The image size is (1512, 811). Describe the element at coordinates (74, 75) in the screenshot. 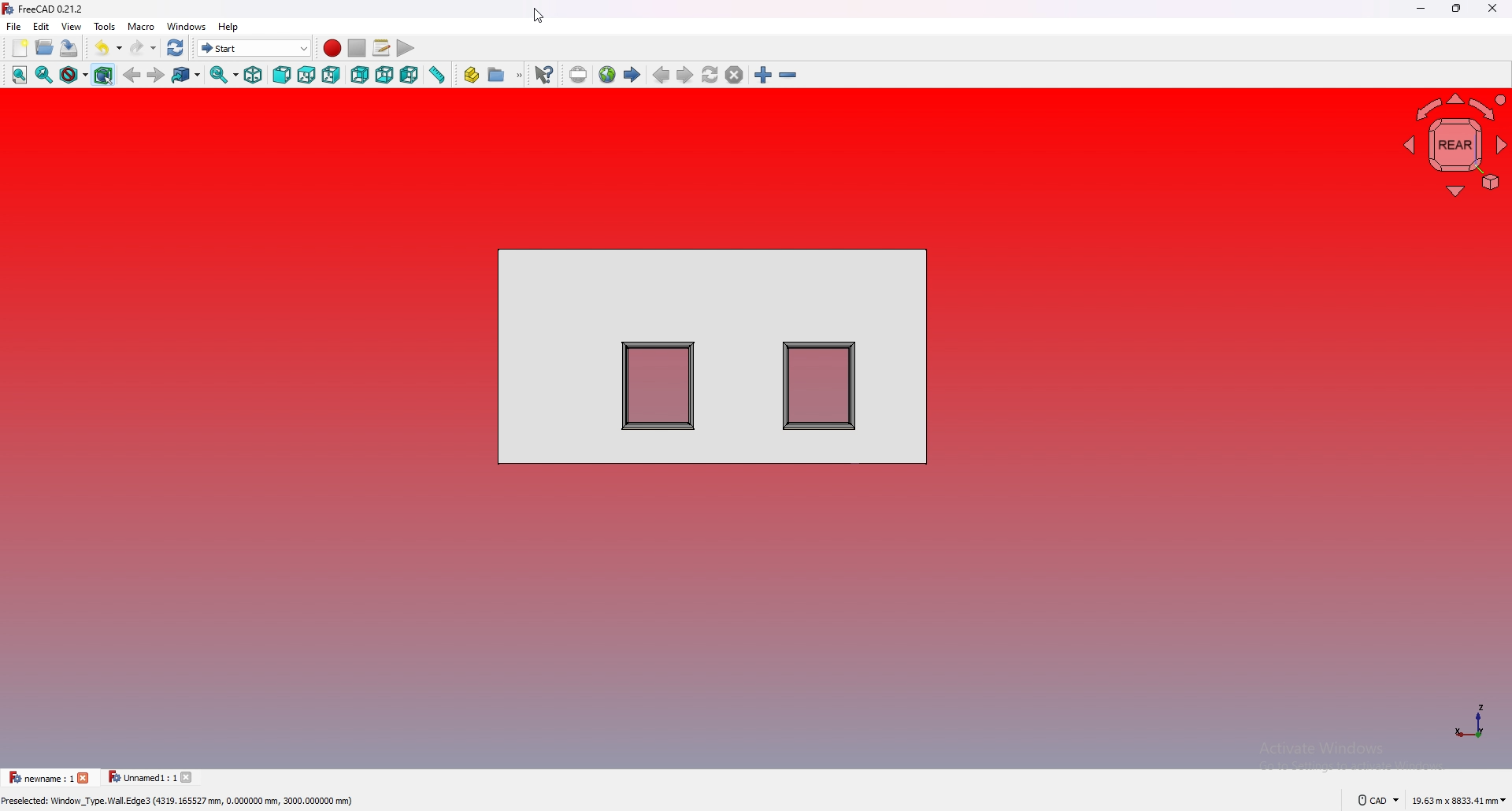

I see `draw style` at that location.